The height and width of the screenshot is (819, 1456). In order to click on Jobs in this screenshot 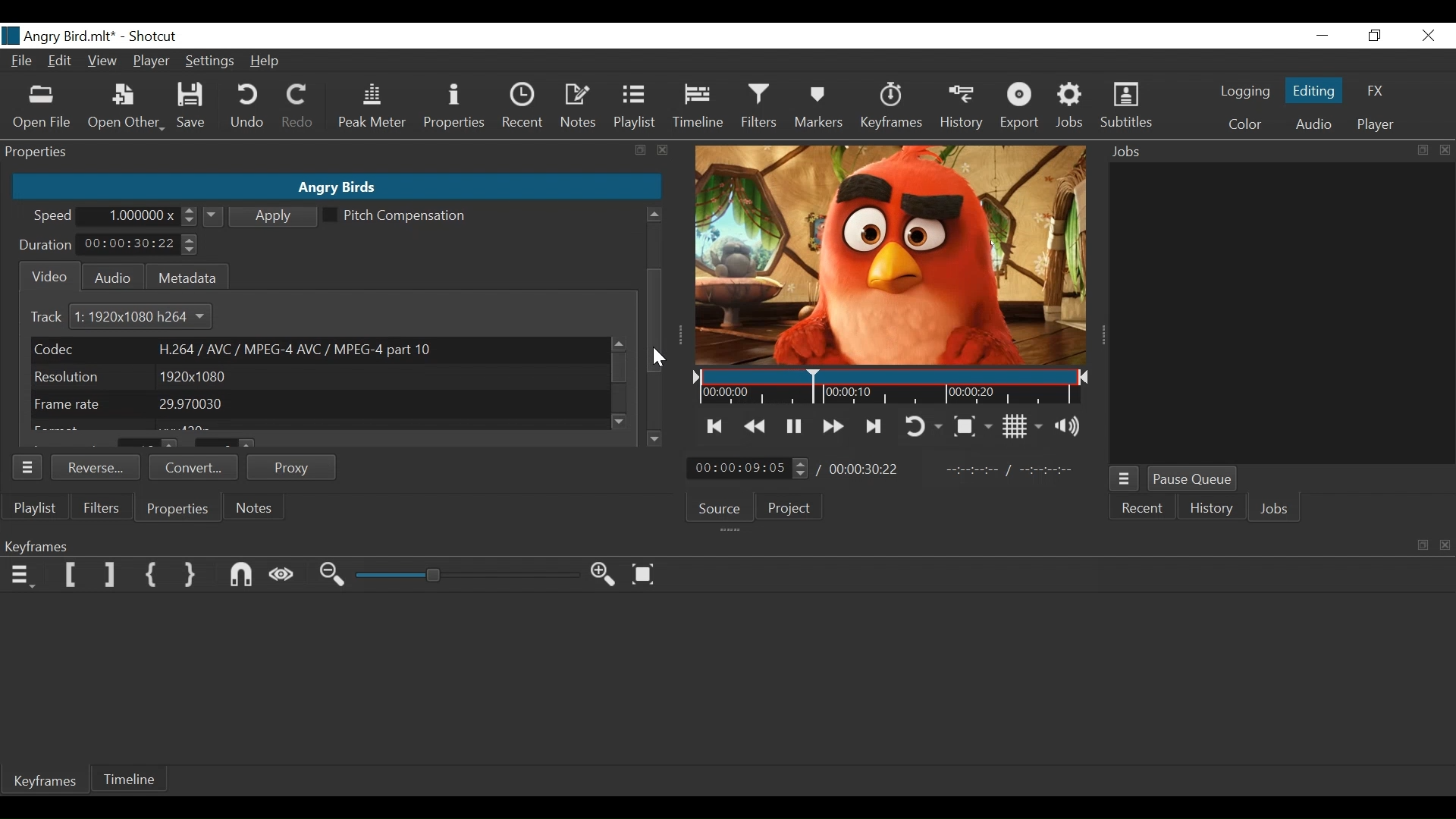, I will do `click(1070, 108)`.